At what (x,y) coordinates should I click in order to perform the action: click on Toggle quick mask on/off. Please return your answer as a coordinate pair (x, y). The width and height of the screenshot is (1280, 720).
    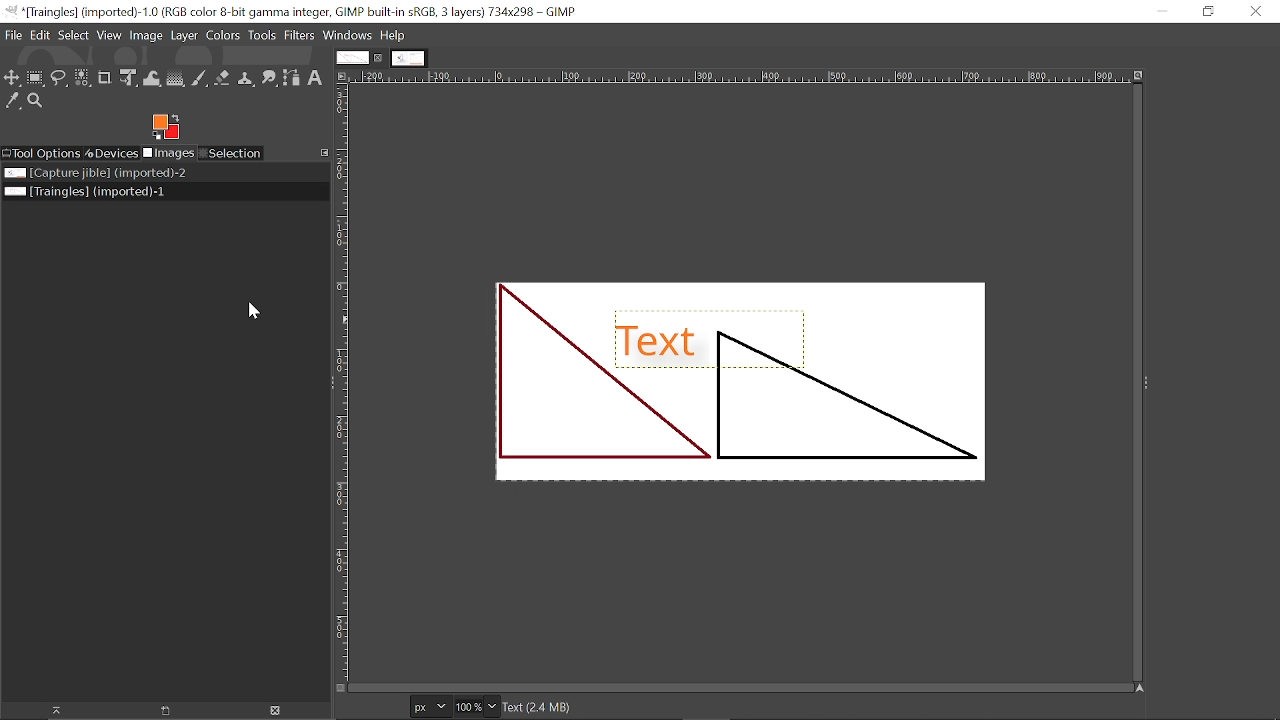
    Looking at the image, I should click on (341, 689).